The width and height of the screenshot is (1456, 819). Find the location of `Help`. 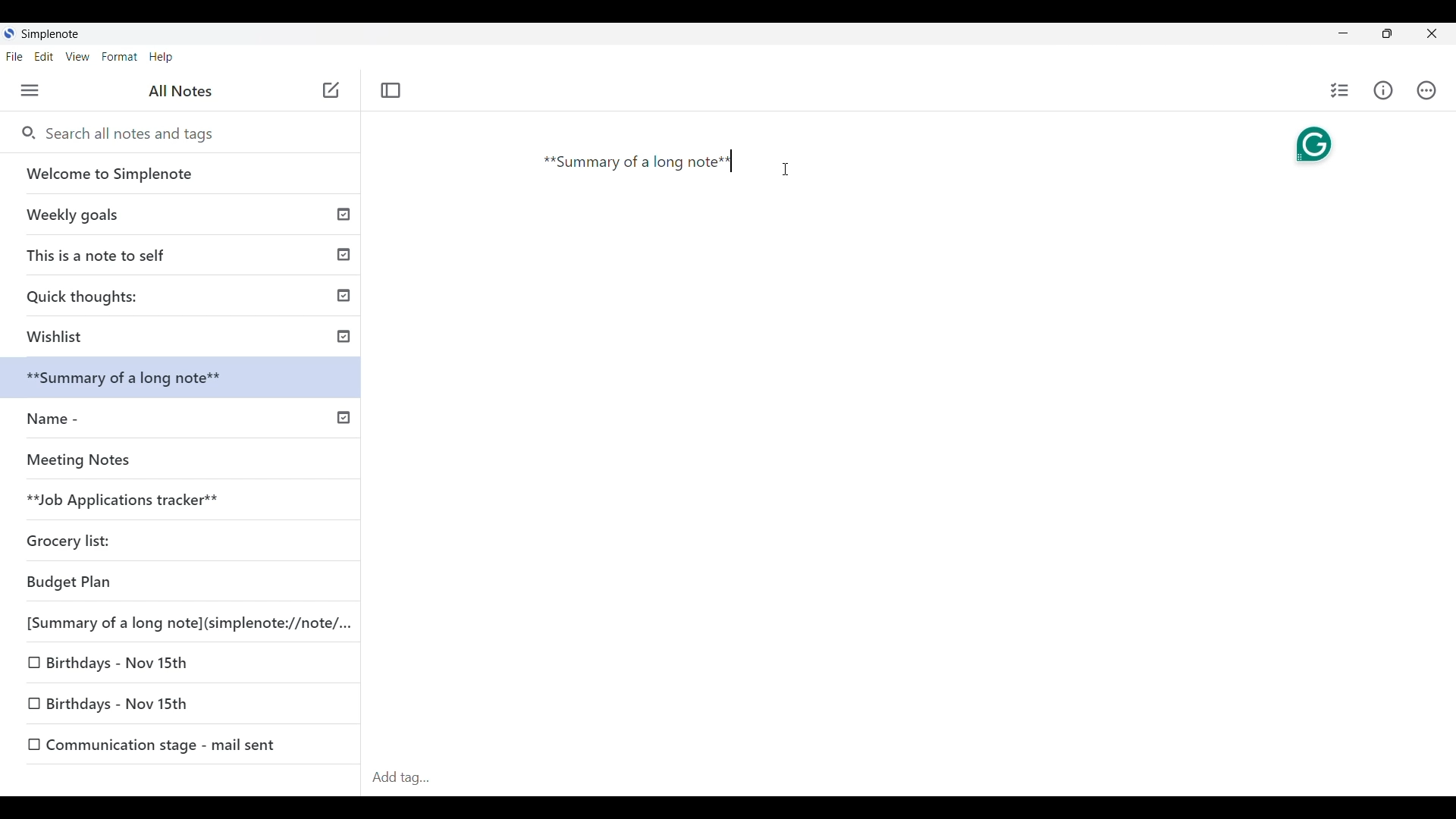

Help is located at coordinates (162, 58).